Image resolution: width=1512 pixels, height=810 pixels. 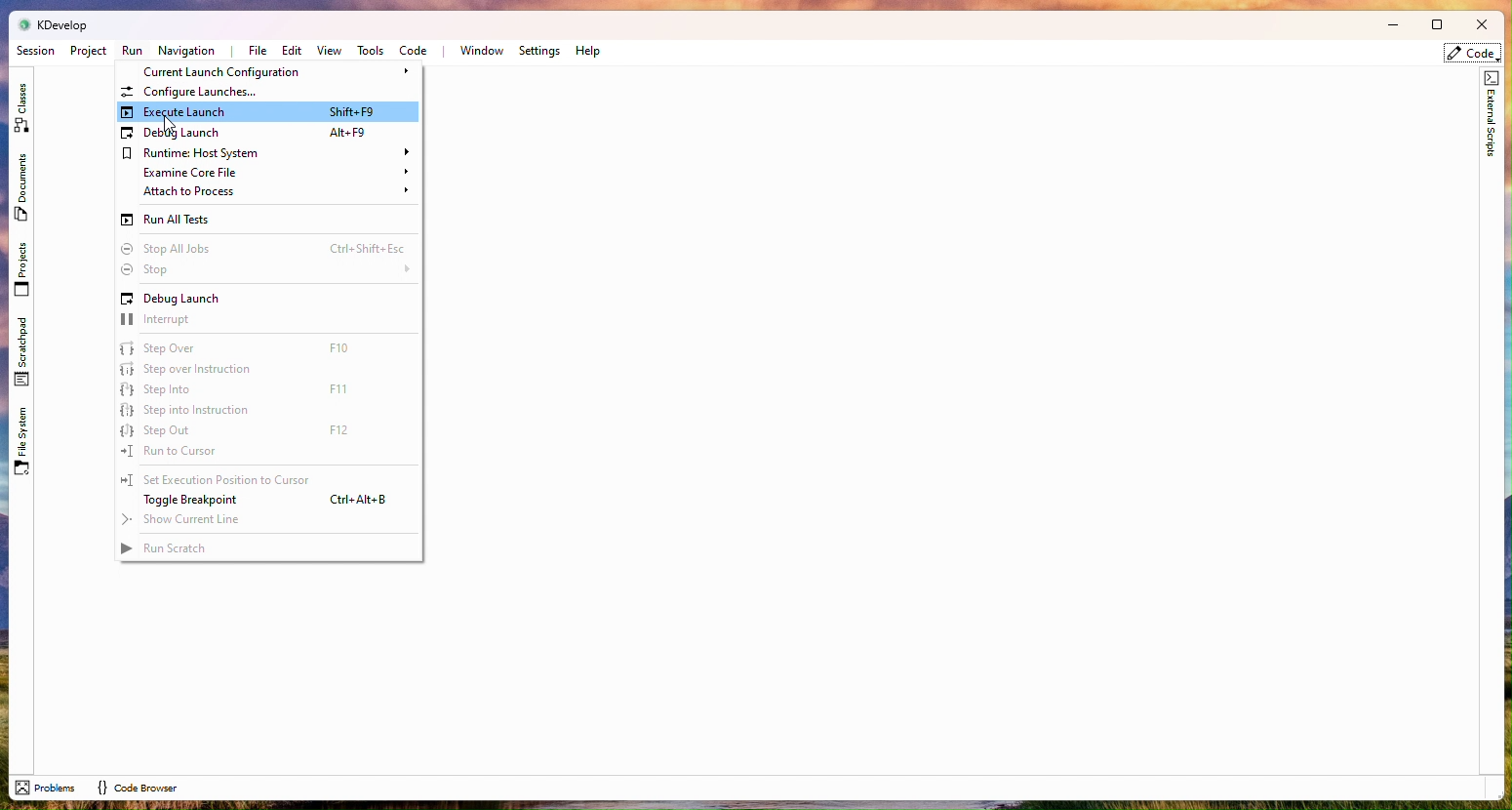 I want to click on File System, so click(x=22, y=437).